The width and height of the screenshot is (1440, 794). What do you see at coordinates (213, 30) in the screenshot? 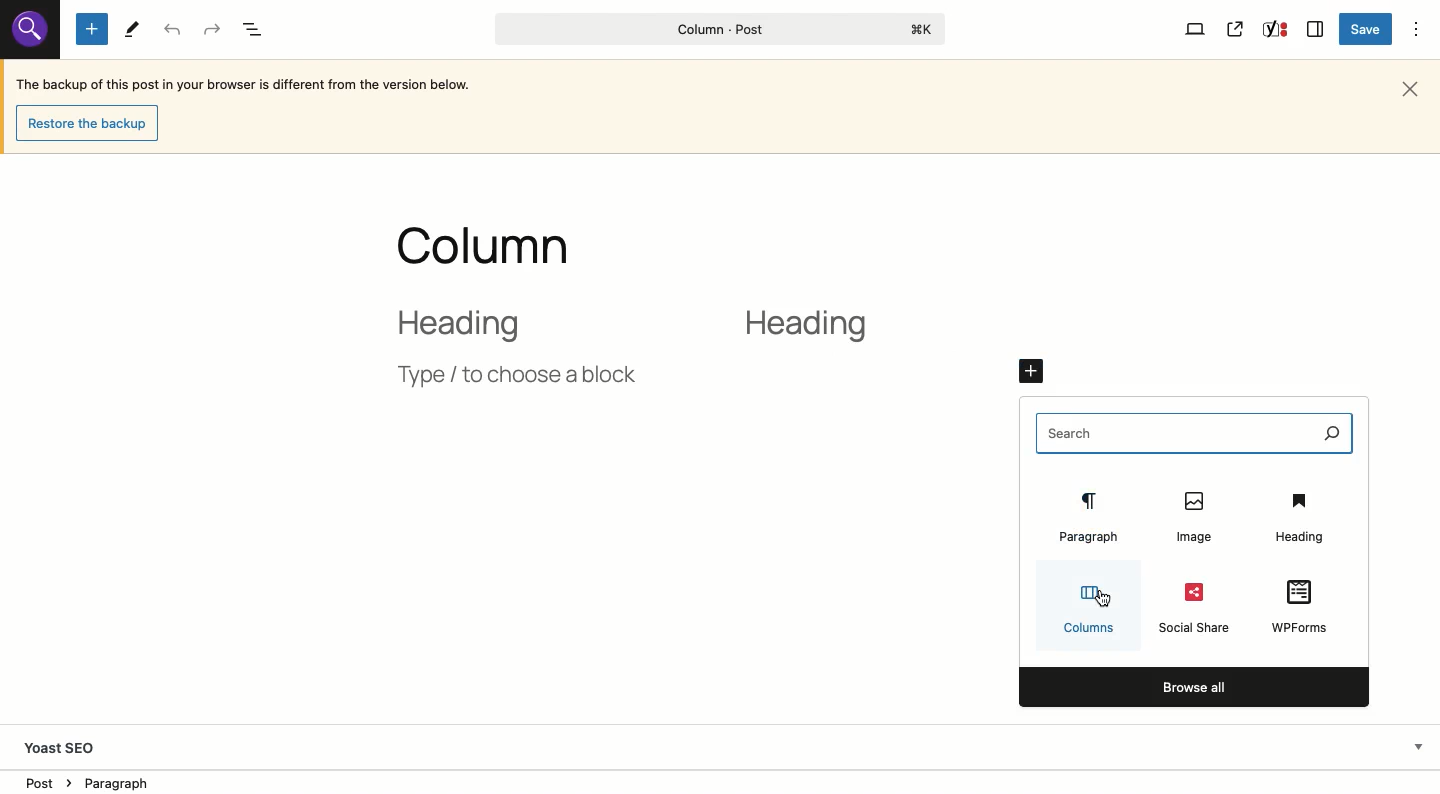
I see `Redo` at bounding box center [213, 30].